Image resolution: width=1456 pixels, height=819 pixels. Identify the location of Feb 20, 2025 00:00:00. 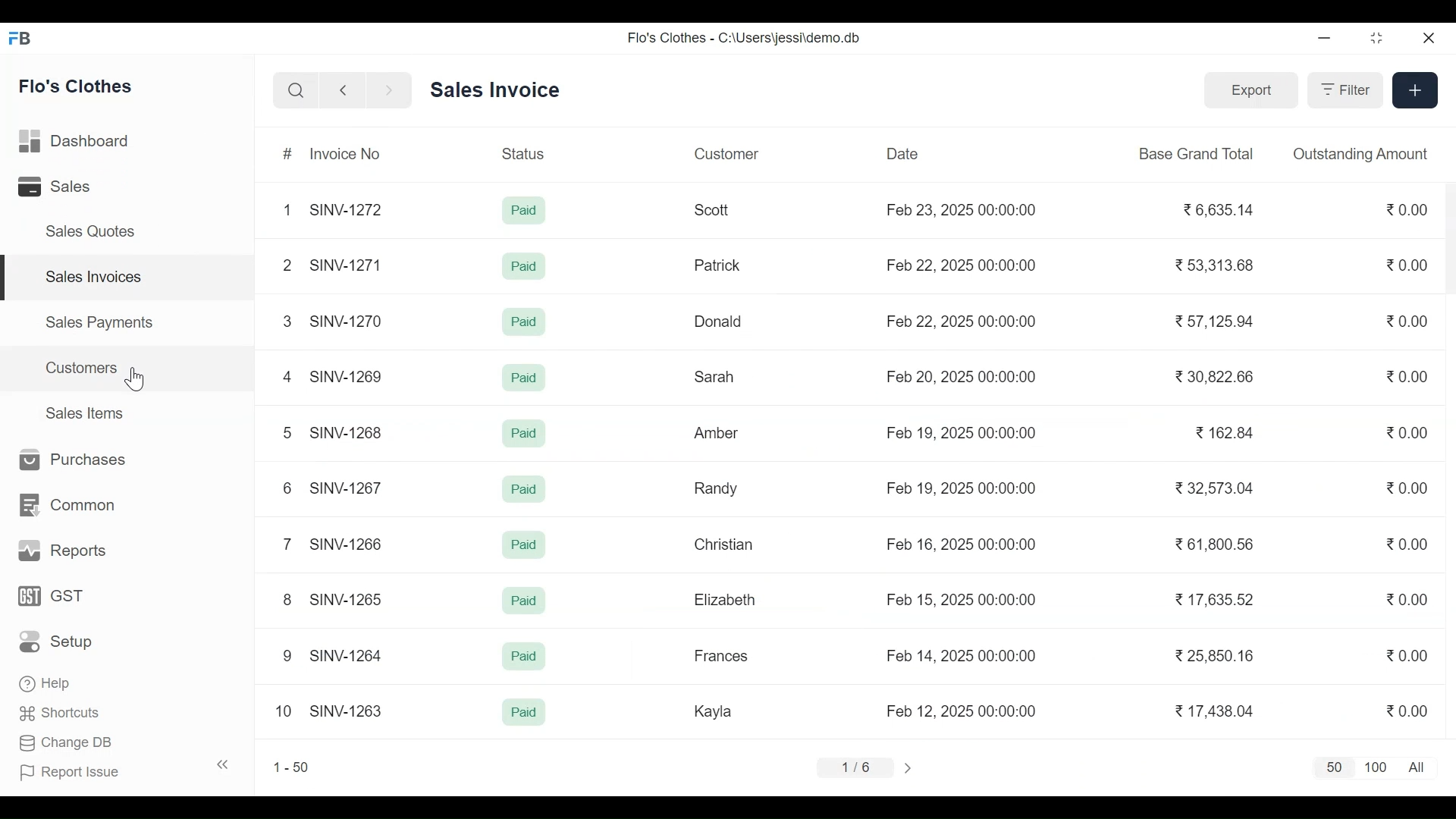
(961, 377).